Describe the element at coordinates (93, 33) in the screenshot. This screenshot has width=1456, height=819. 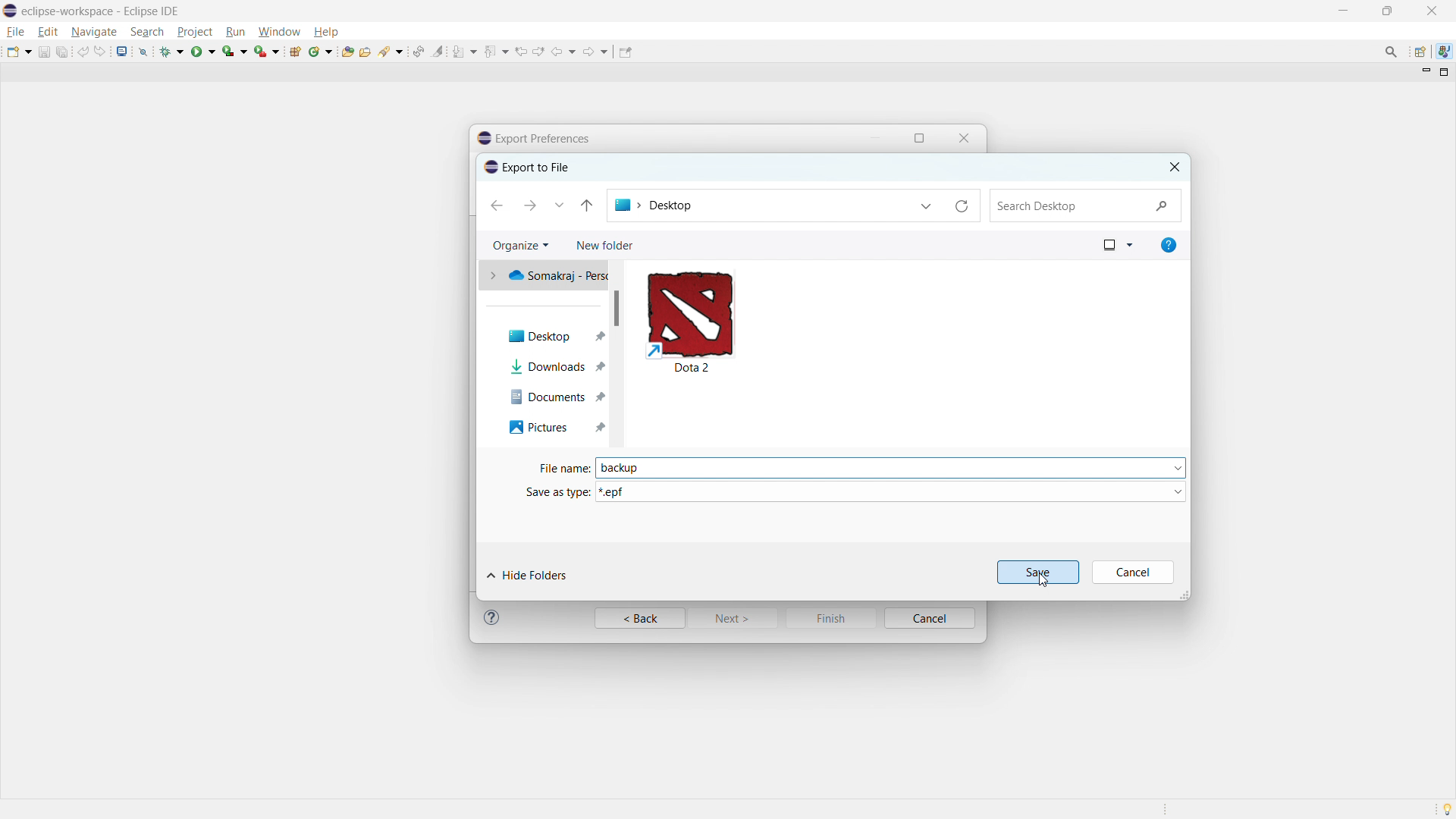
I see `navigate` at that location.